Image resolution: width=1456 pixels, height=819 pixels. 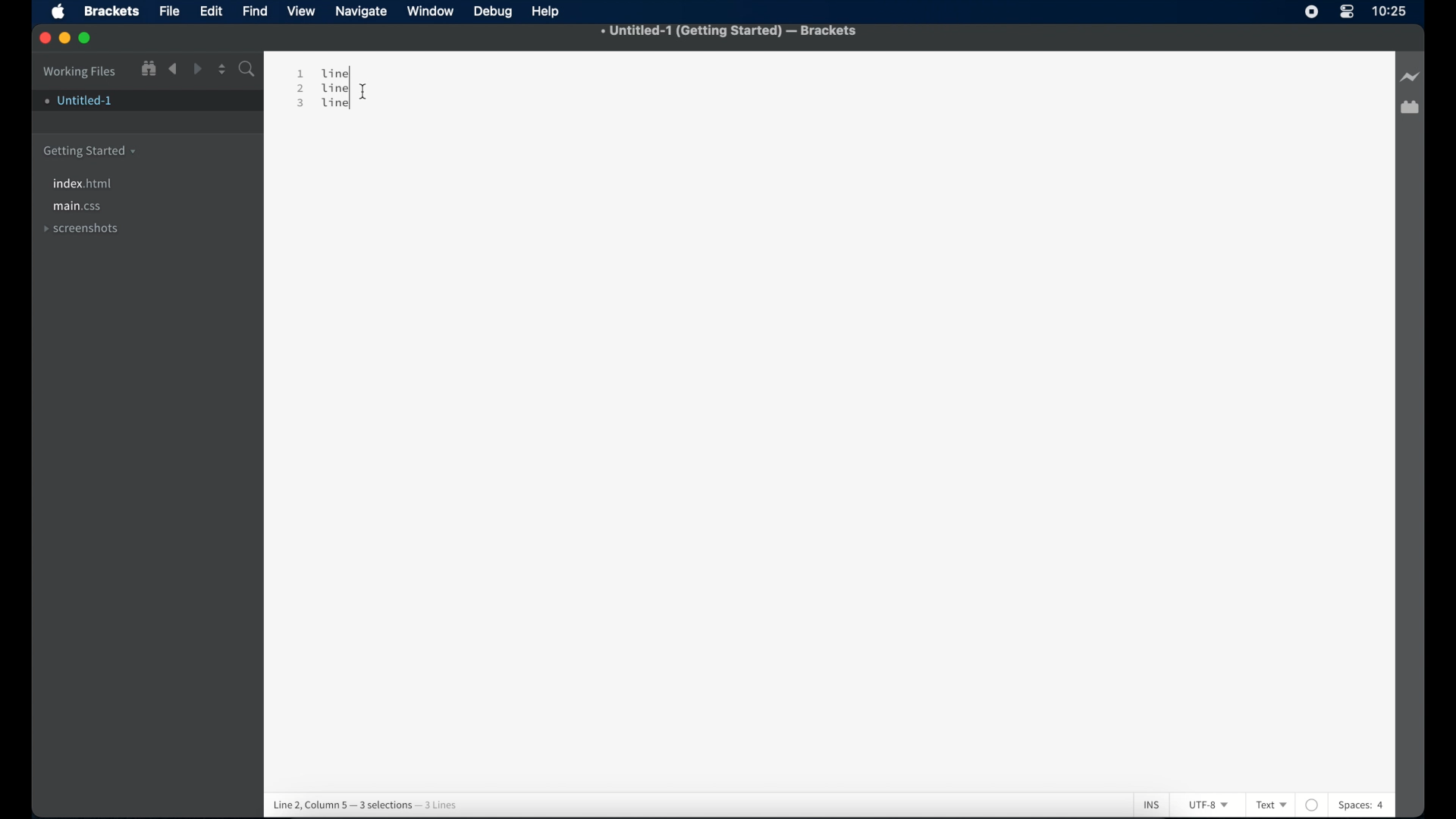 What do you see at coordinates (366, 800) in the screenshot?
I see `line  3, column 5 - 3 lines` at bounding box center [366, 800].